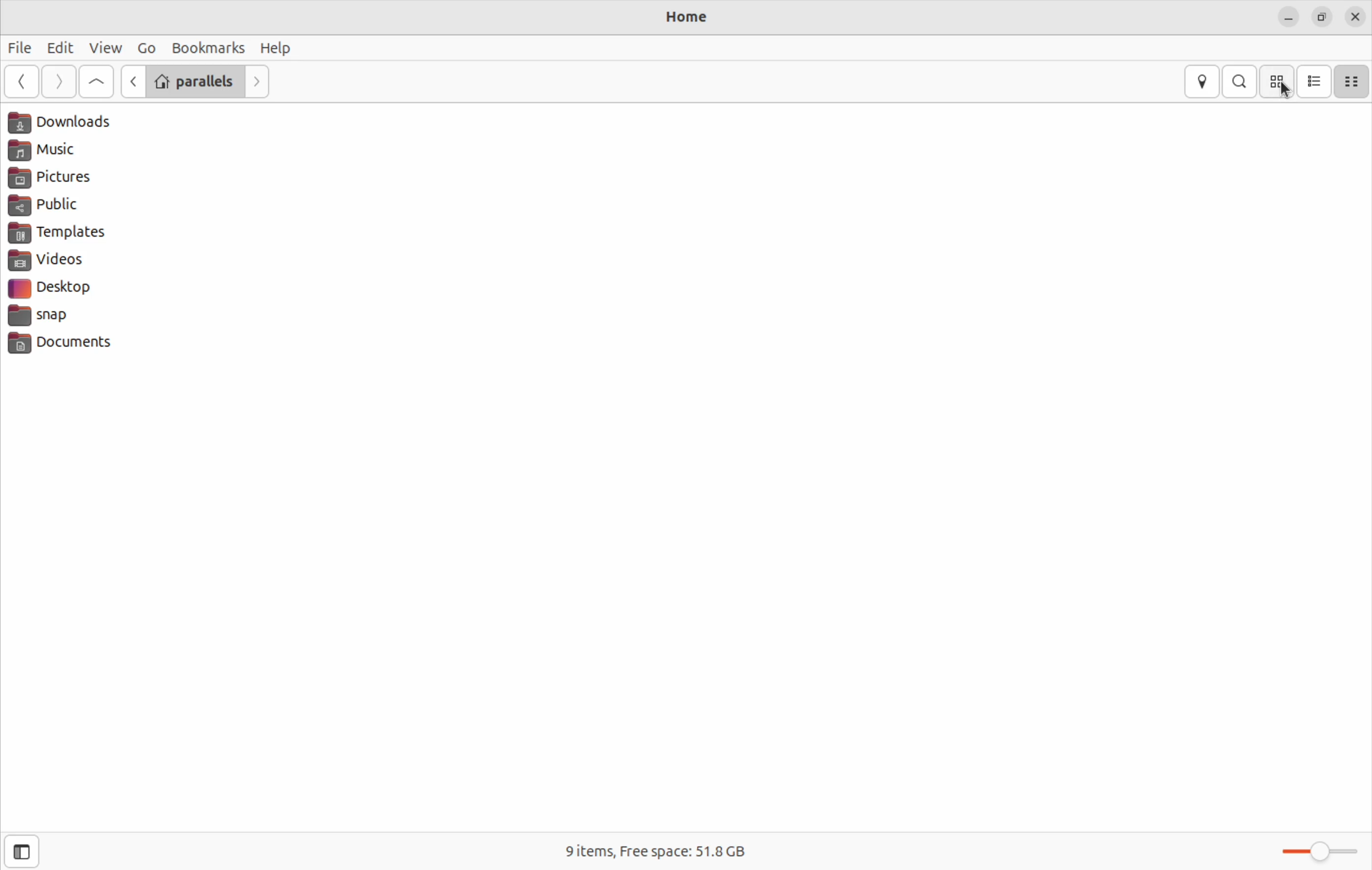 This screenshot has height=870, width=1372. Describe the element at coordinates (1353, 81) in the screenshot. I see `compact size` at that location.